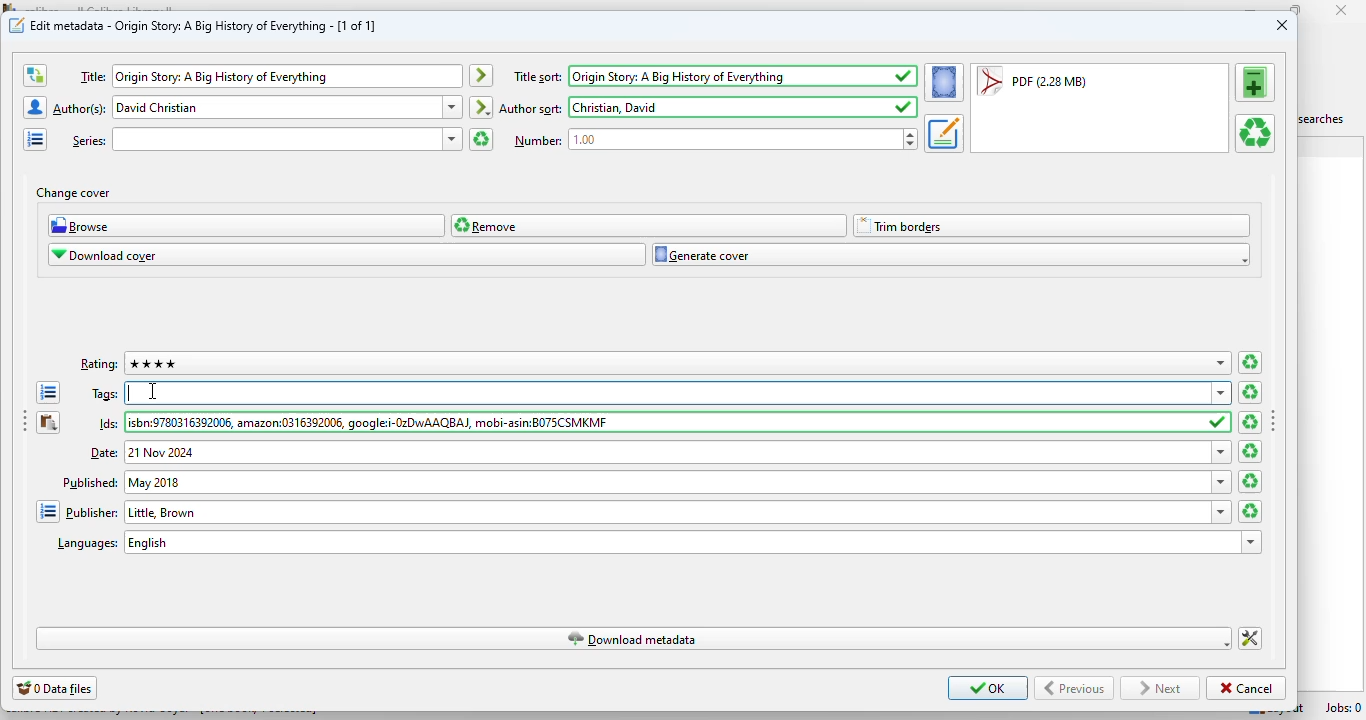 This screenshot has height=720, width=1366. What do you see at coordinates (105, 454) in the screenshot?
I see `text` at bounding box center [105, 454].